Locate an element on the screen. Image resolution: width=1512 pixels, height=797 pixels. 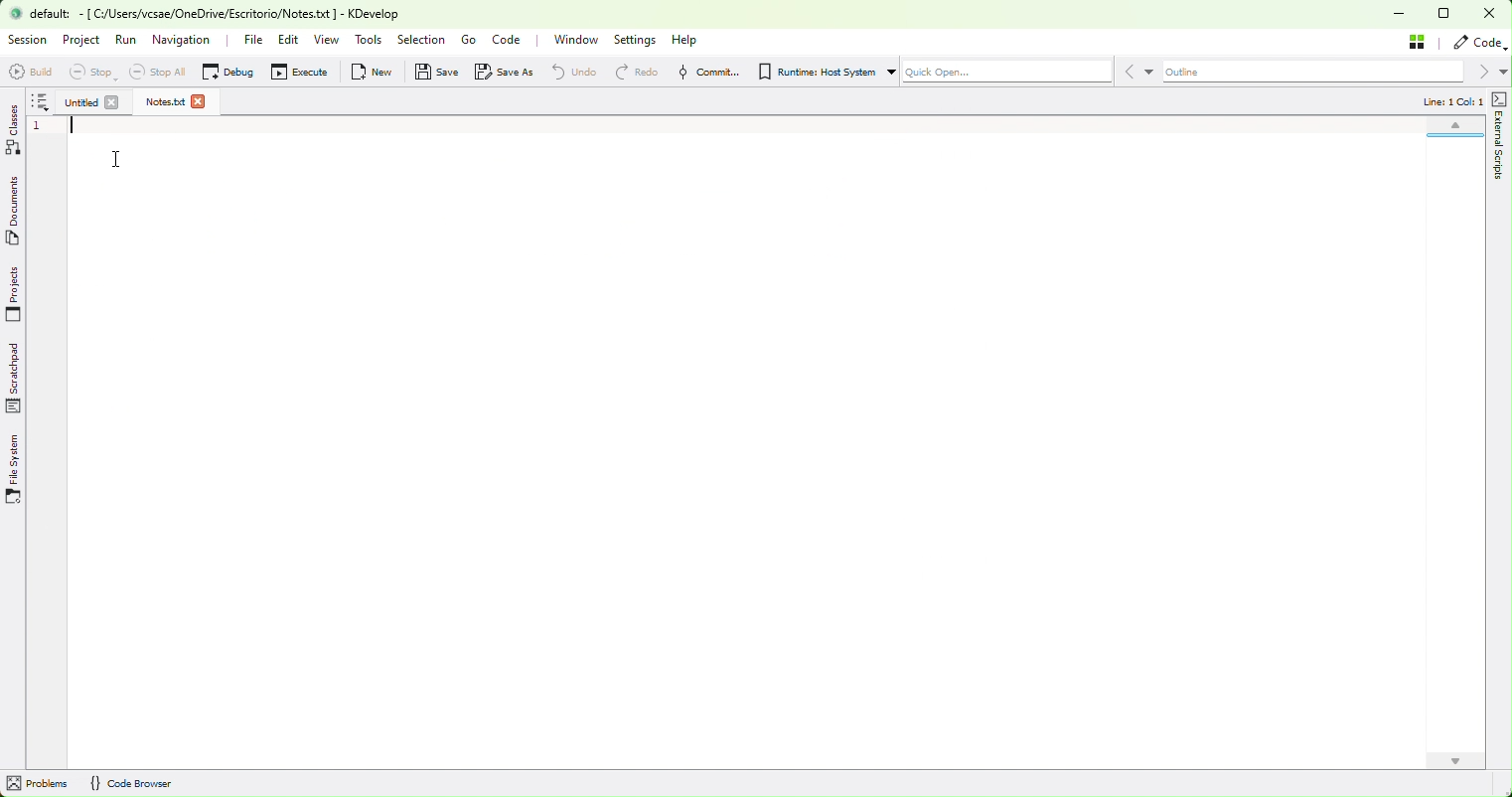
Project is located at coordinates (81, 42).